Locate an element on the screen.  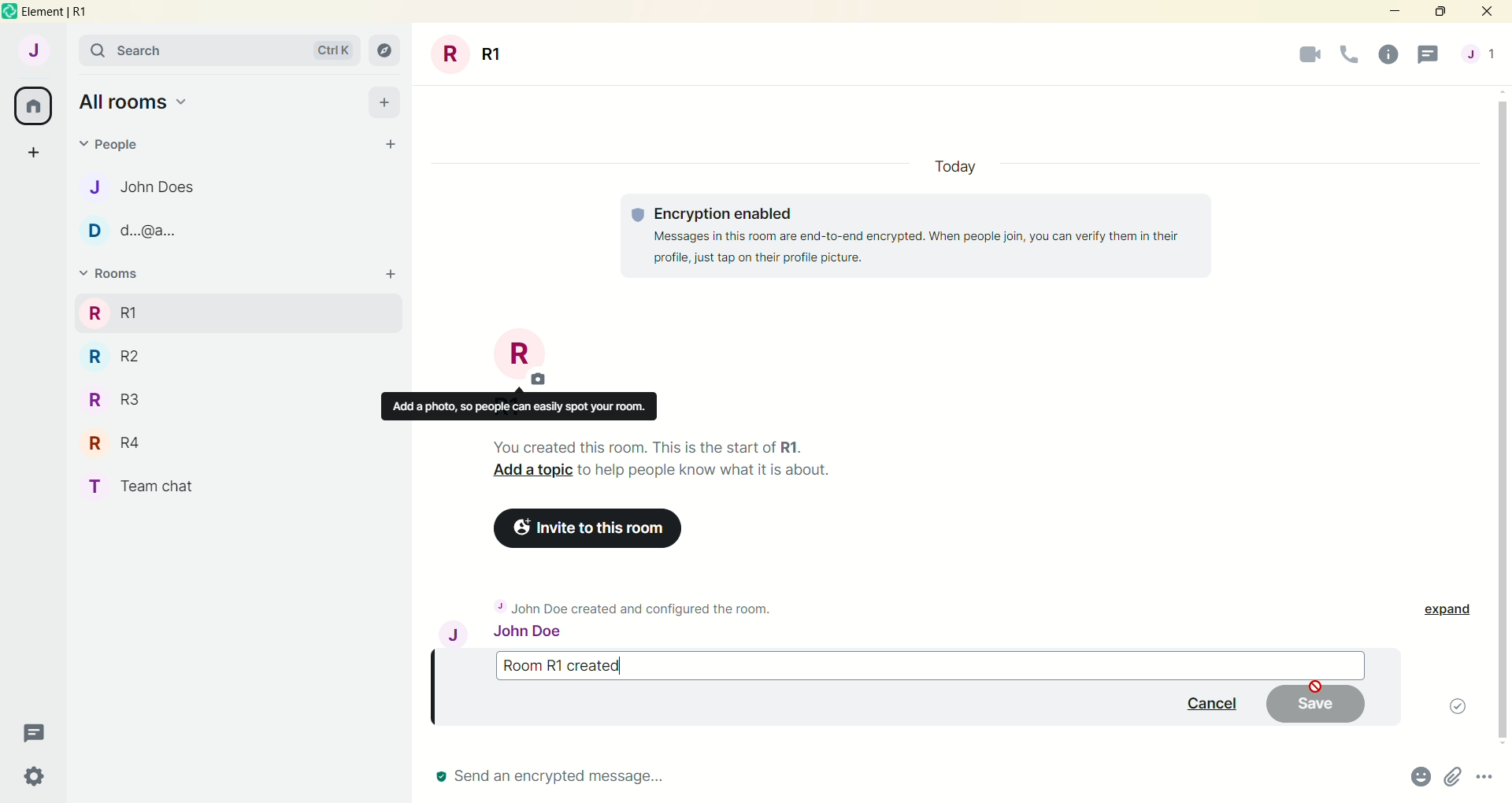
explore room is located at coordinates (386, 51).